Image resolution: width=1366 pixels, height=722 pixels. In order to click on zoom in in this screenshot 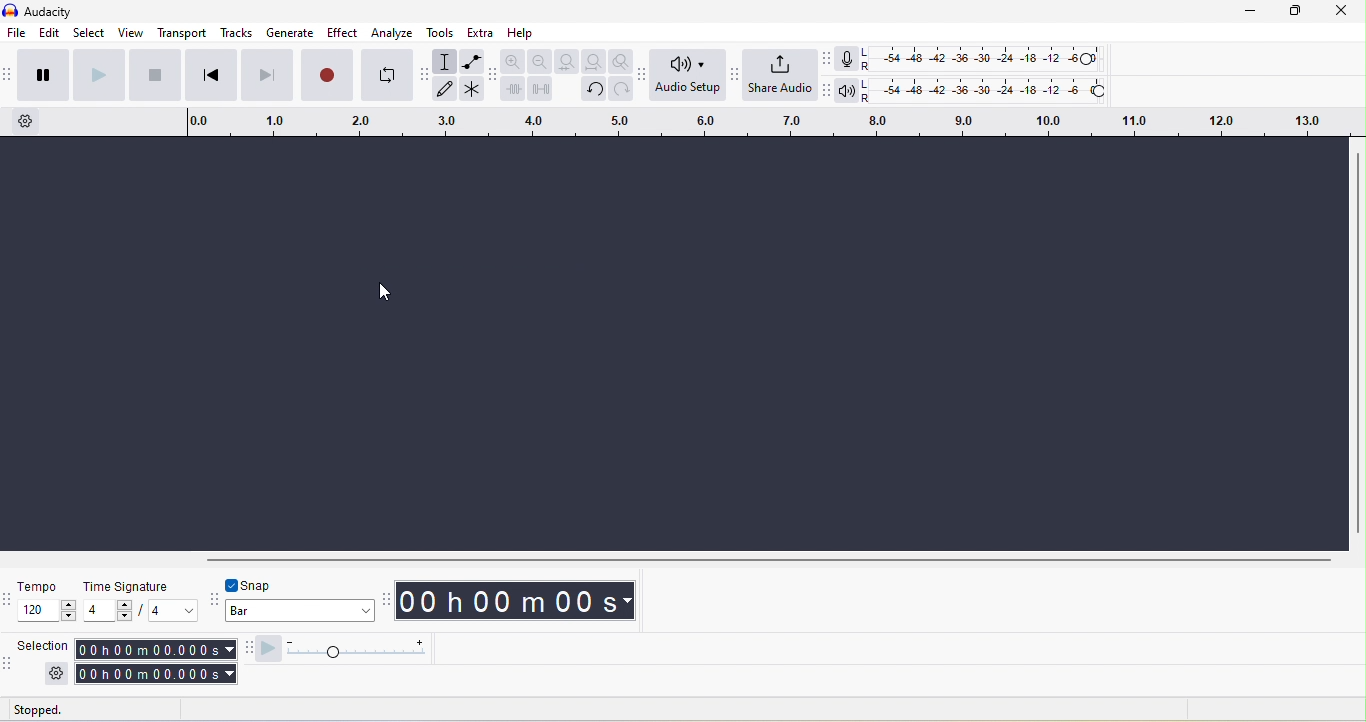, I will do `click(513, 60)`.